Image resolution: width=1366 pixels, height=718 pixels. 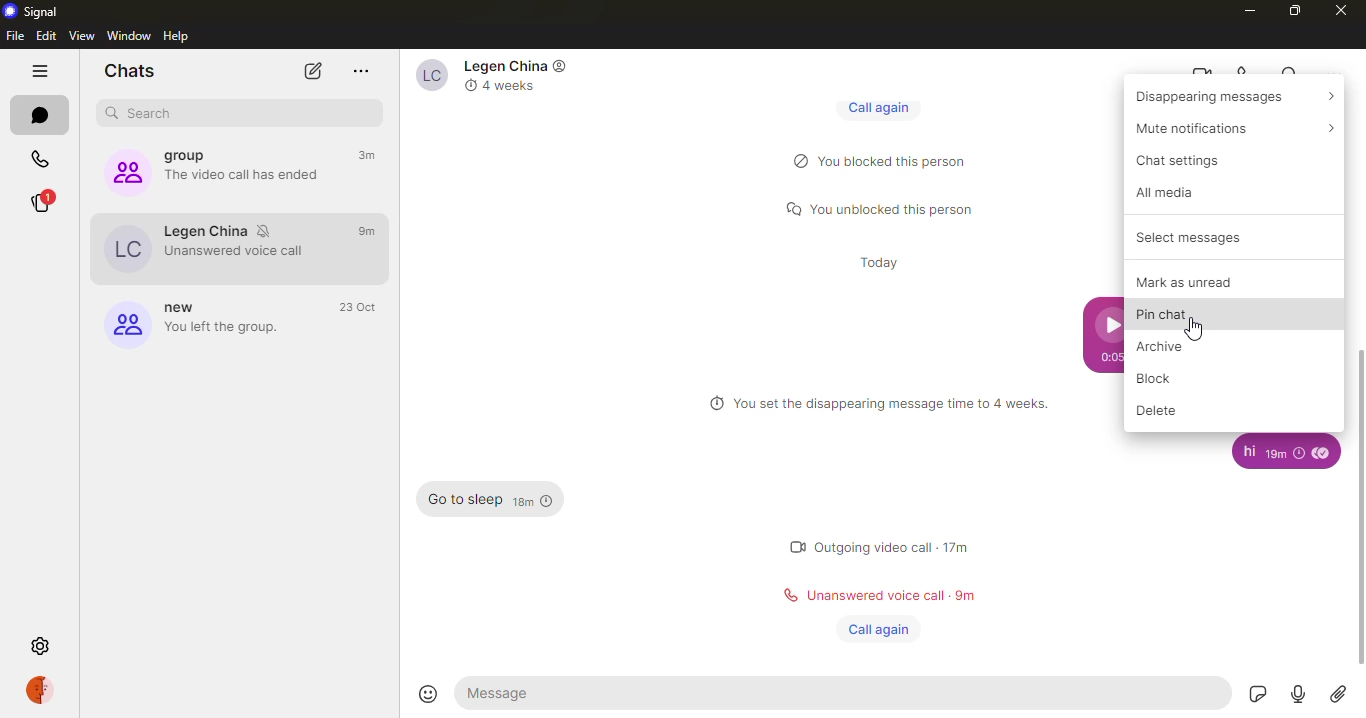 What do you see at coordinates (873, 107) in the screenshot?
I see `call again` at bounding box center [873, 107].